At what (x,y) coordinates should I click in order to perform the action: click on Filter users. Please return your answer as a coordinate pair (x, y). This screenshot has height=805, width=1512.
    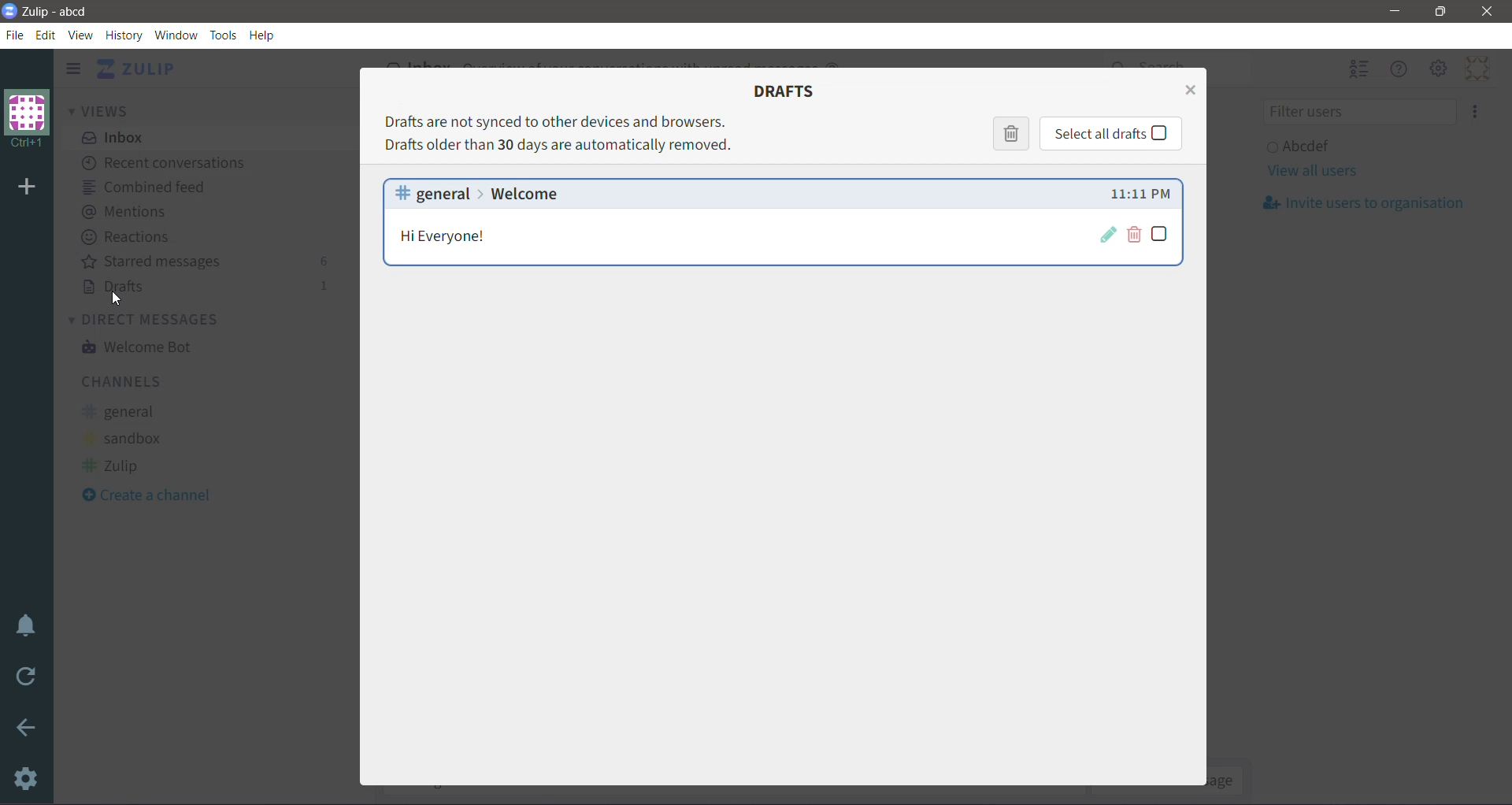
    Looking at the image, I should click on (1358, 112).